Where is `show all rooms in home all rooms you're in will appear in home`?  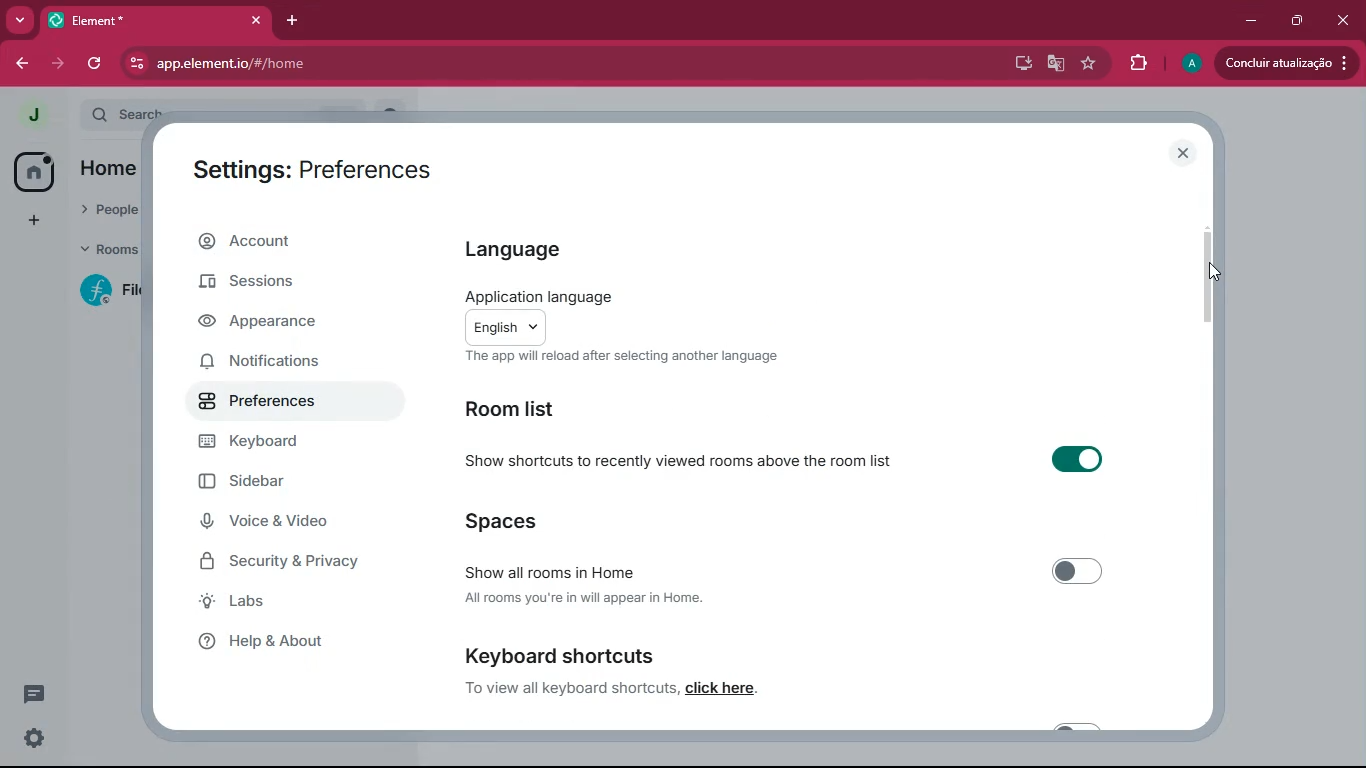
show all rooms in home all rooms you're in will appear in home is located at coordinates (577, 579).